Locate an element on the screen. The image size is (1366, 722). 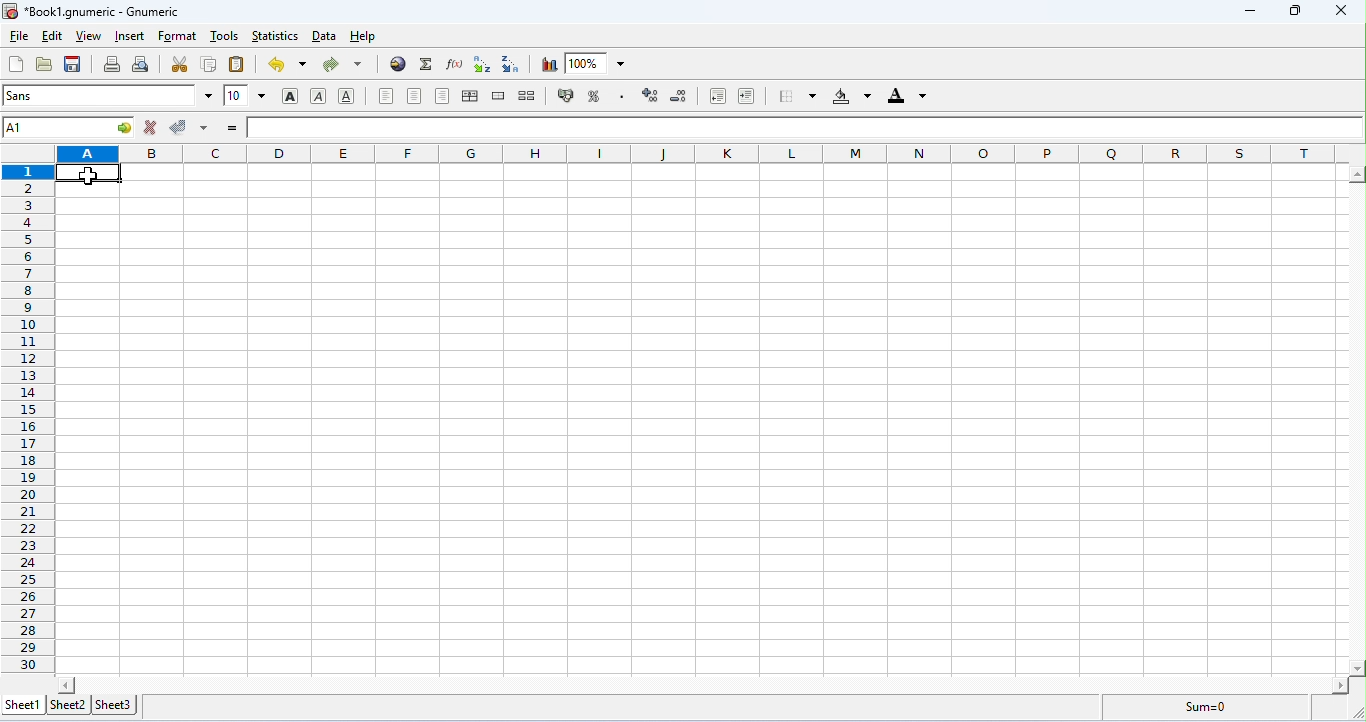
font size is located at coordinates (244, 94).